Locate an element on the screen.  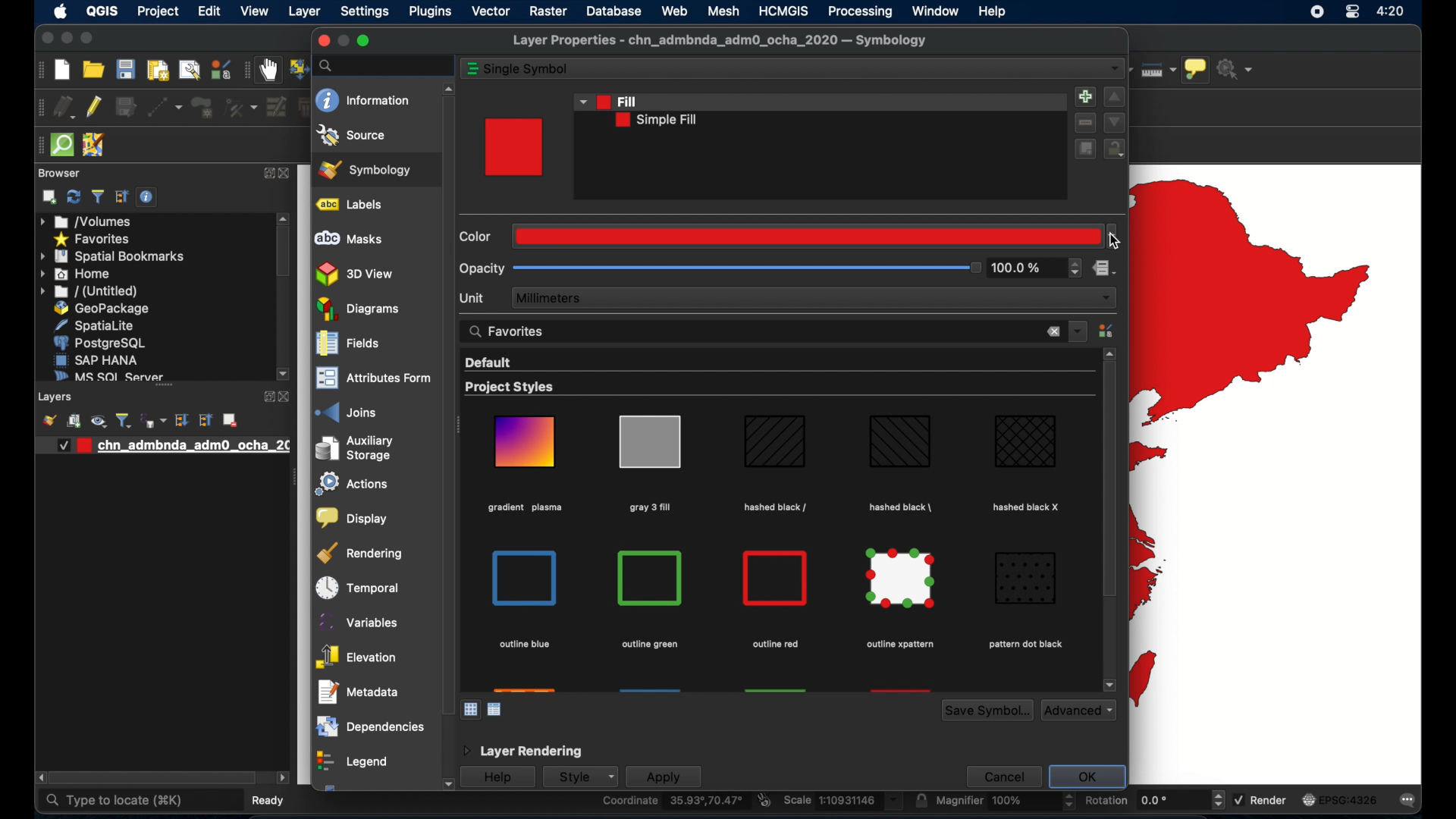
QGIS is located at coordinates (102, 13).